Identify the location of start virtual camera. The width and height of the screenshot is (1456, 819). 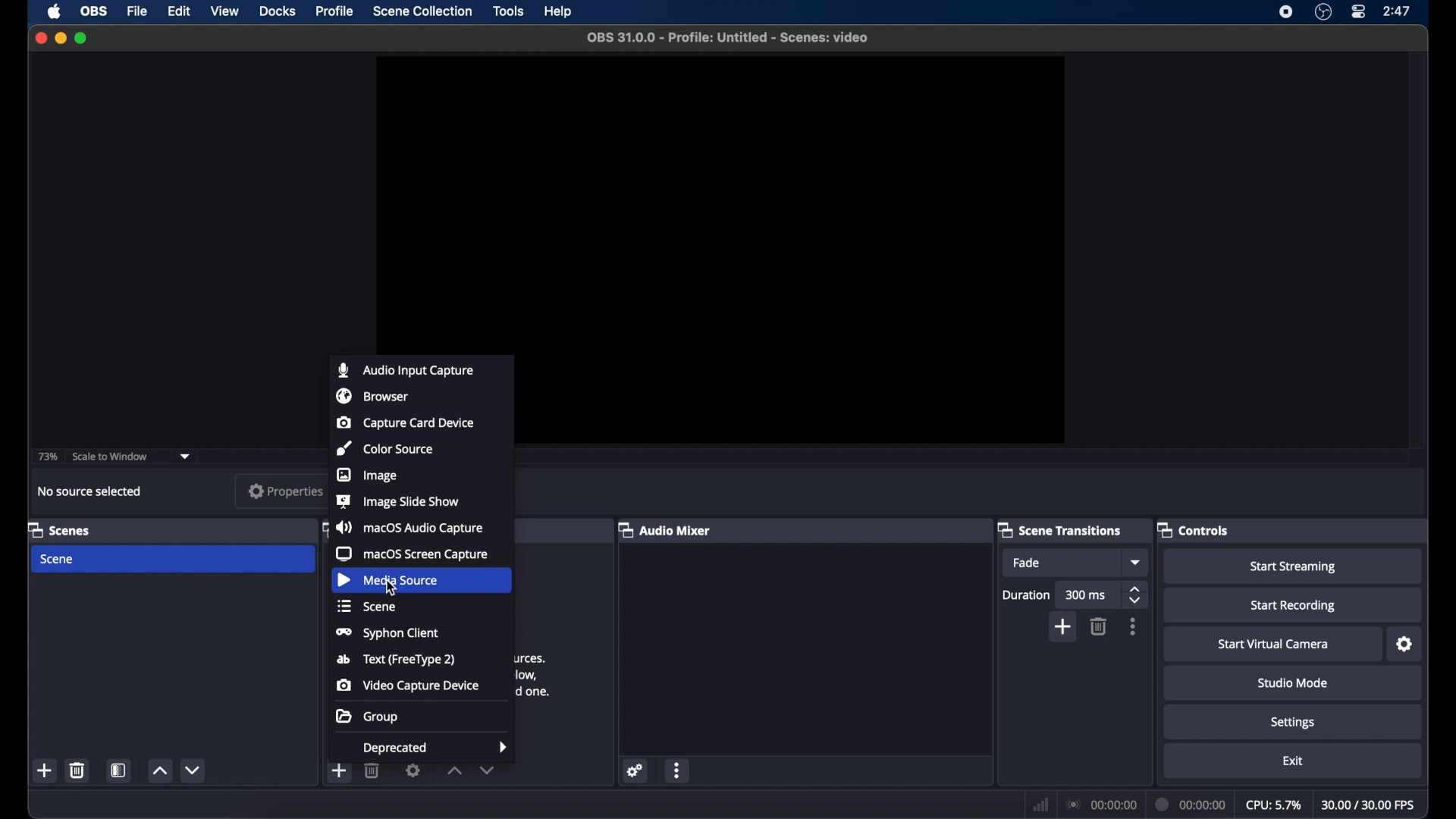
(1274, 645).